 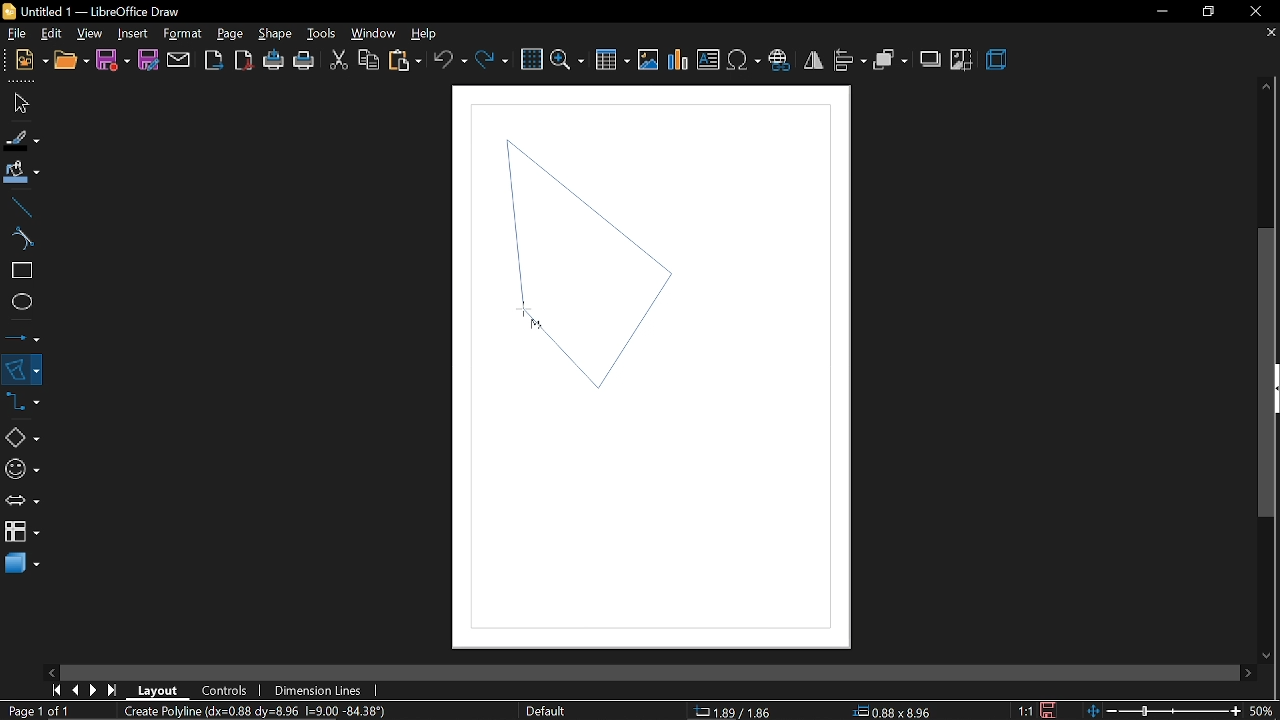 What do you see at coordinates (569, 58) in the screenshot?
I see `zoom` at bounding box center [569, 58].